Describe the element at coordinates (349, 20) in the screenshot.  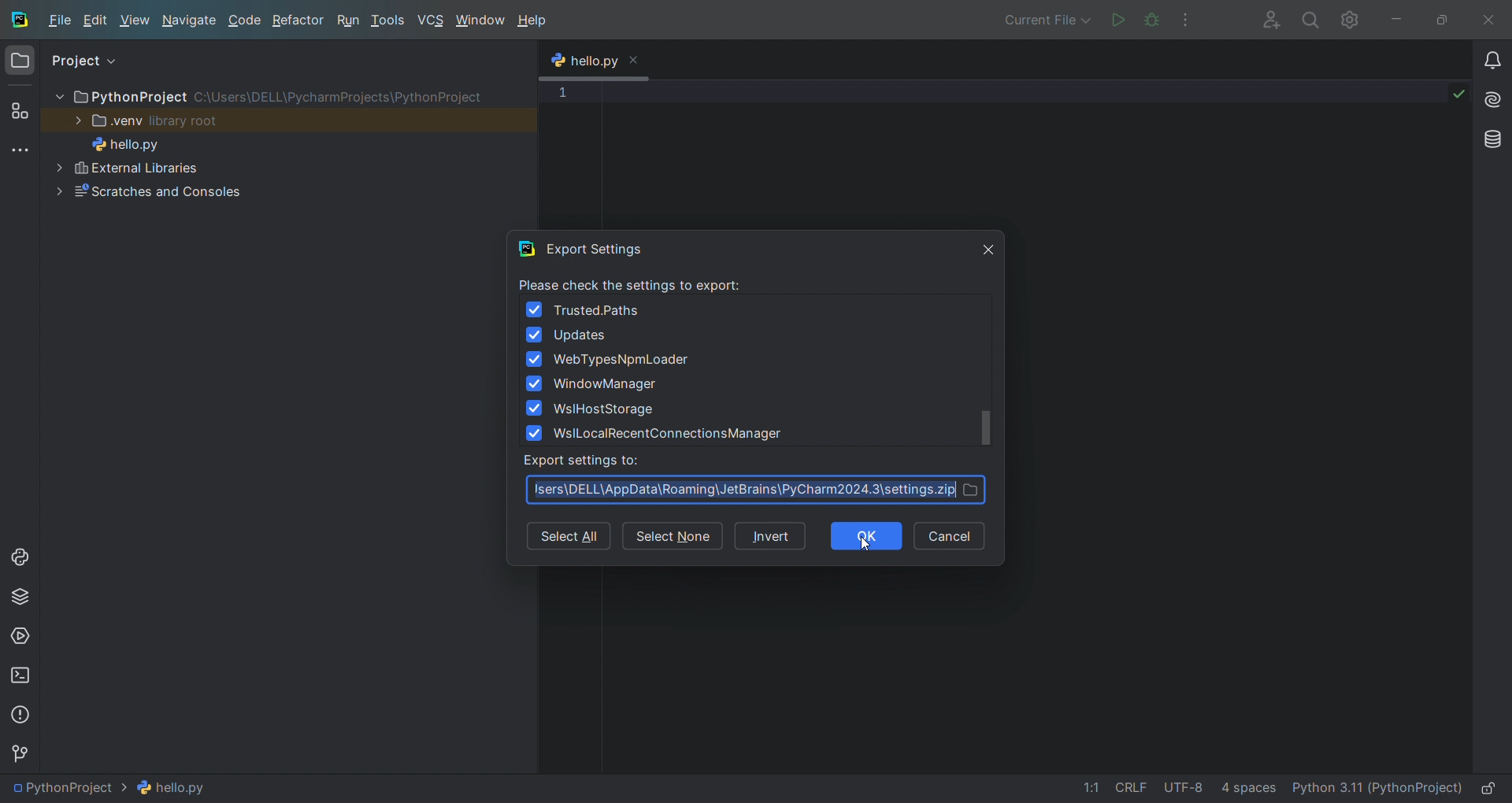
I see `run` at that location.